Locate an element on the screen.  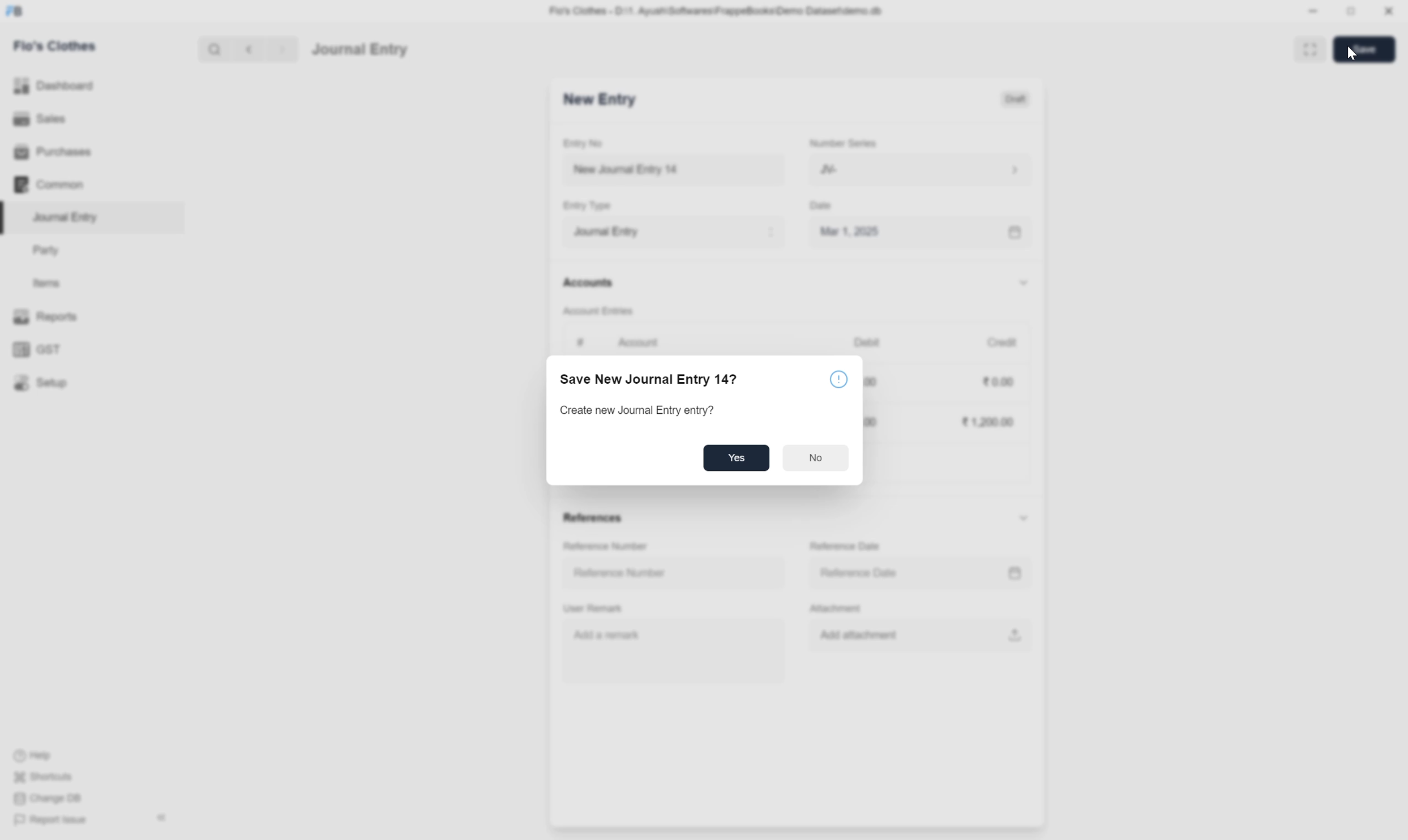
resize is located at coordinates (1349, 11).